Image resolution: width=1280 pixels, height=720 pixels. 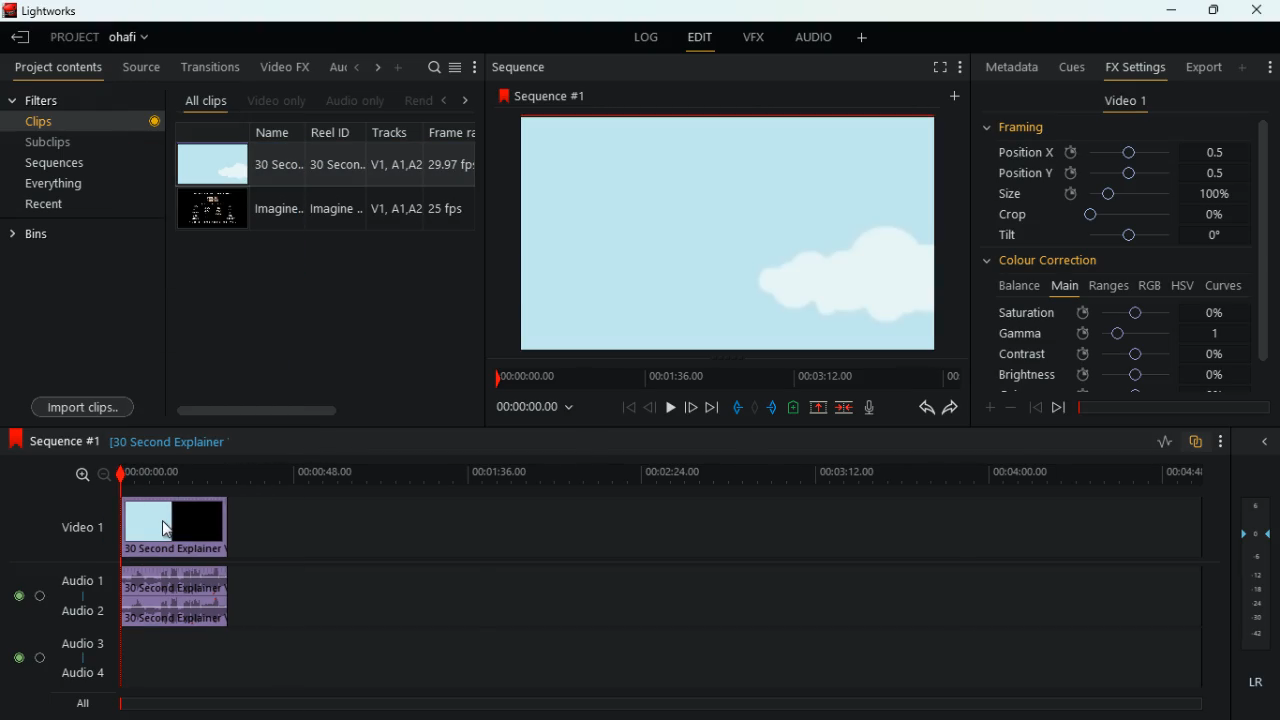 I want to click on sequences, so click(x=66, y=165).